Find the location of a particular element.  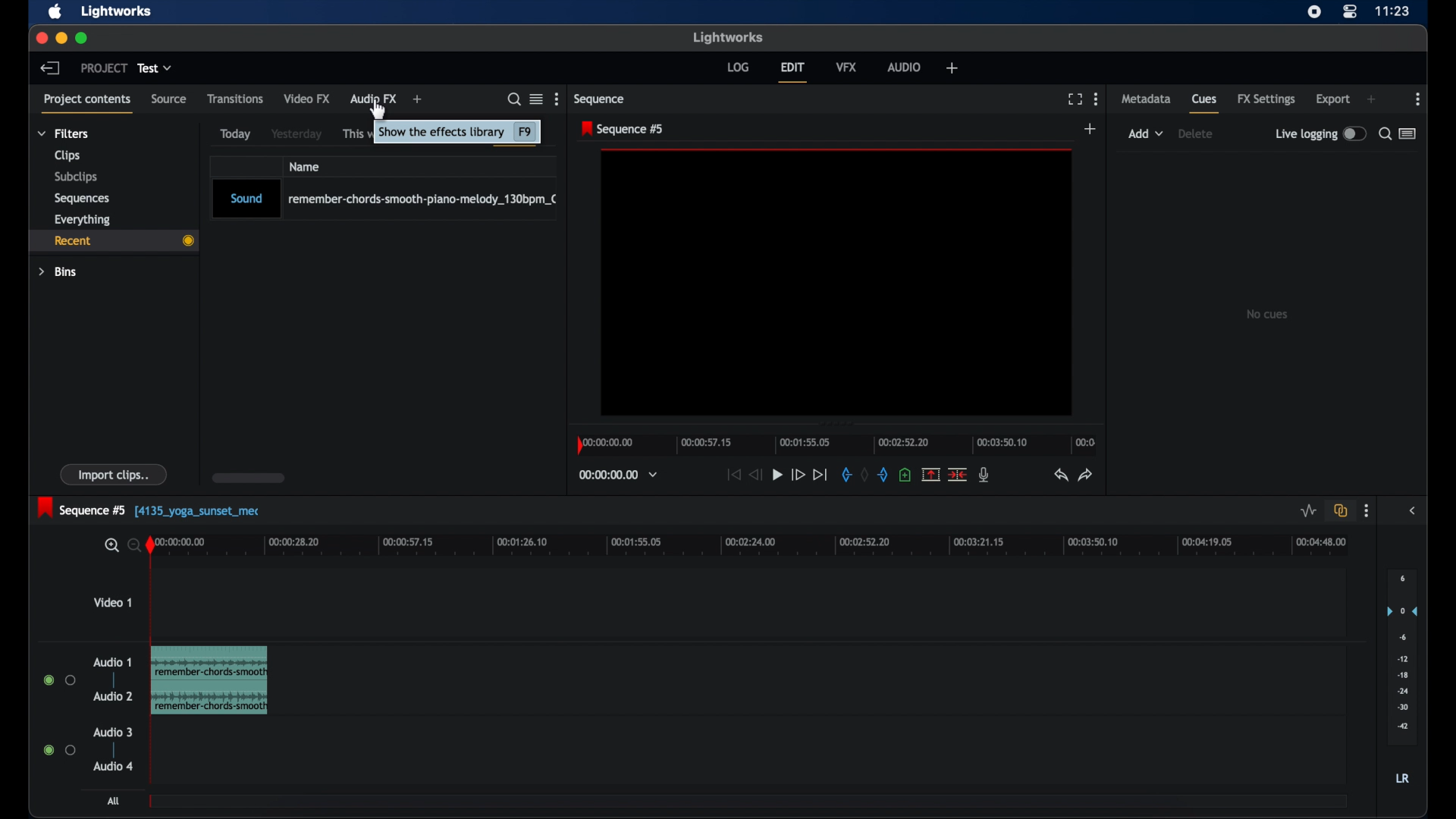

time is located at coordinates (1393, 11).